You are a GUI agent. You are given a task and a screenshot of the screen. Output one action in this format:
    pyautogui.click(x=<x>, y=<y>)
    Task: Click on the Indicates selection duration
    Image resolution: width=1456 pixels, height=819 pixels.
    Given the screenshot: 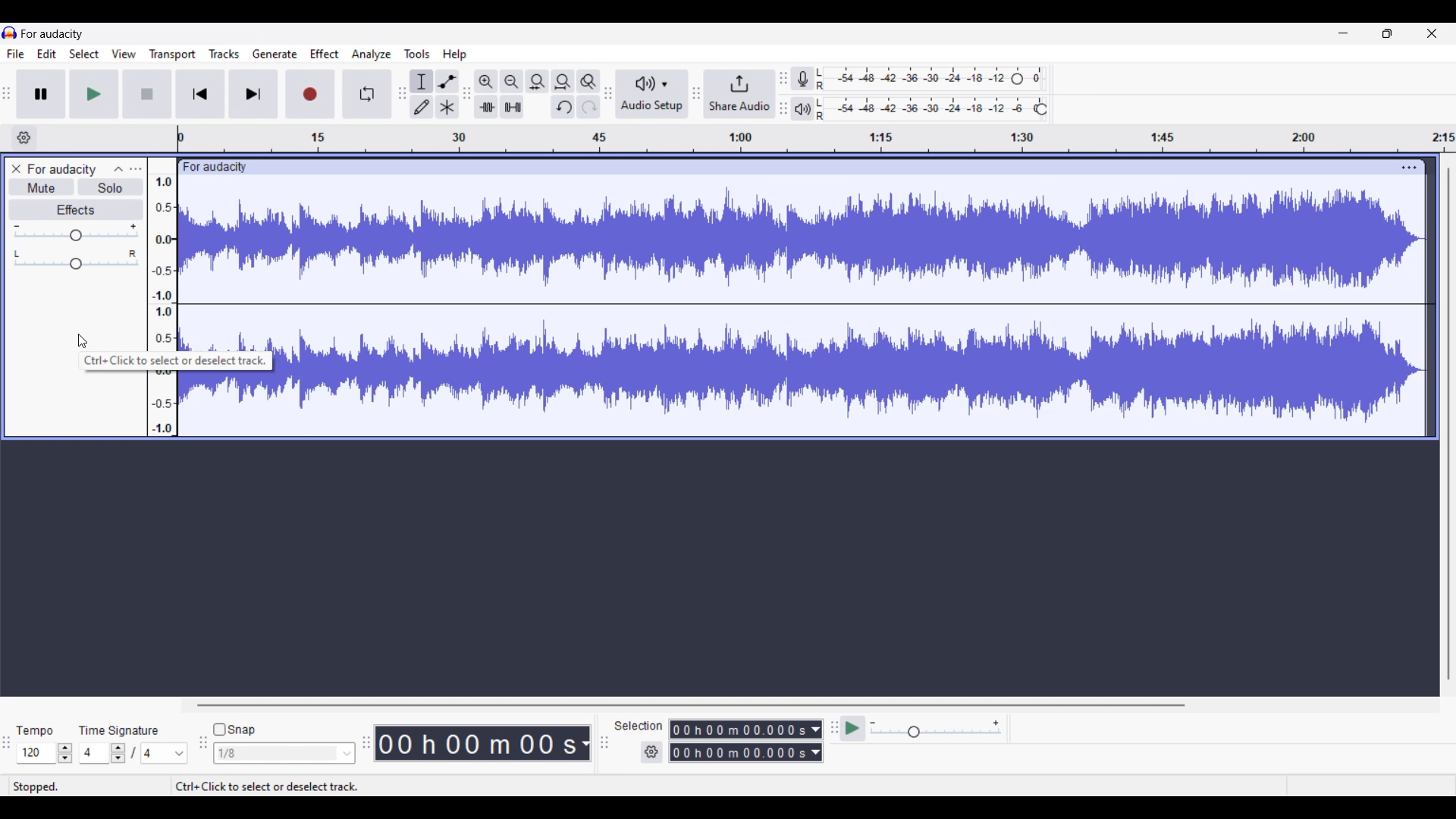 What is the action you would take?
    pyautogui.click(x=639, y=726)
    